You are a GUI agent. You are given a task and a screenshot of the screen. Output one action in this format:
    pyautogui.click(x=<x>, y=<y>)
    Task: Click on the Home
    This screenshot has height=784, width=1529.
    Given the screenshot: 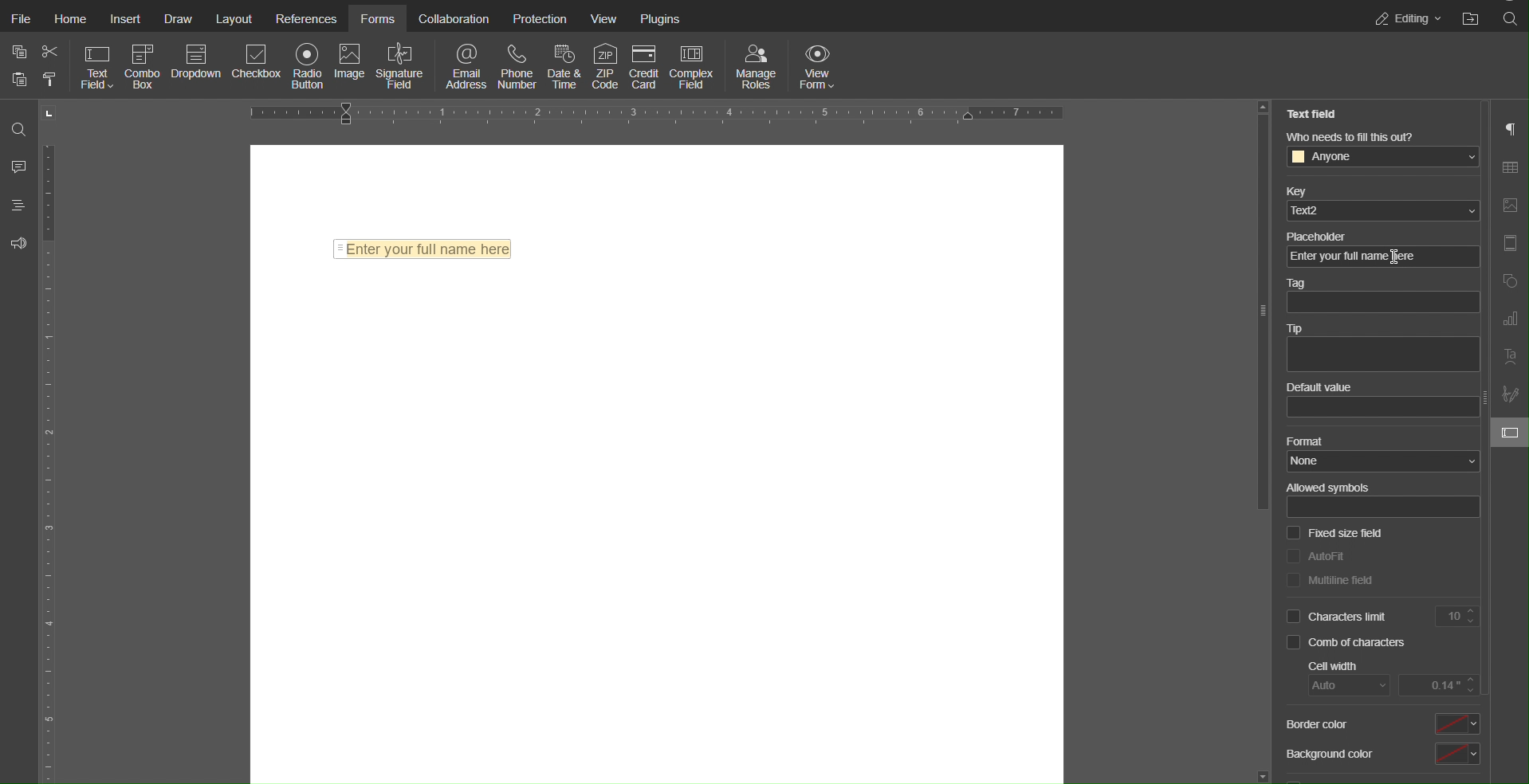 What is the action you would take?
    pyautogui.click(x=70, y=20)
    